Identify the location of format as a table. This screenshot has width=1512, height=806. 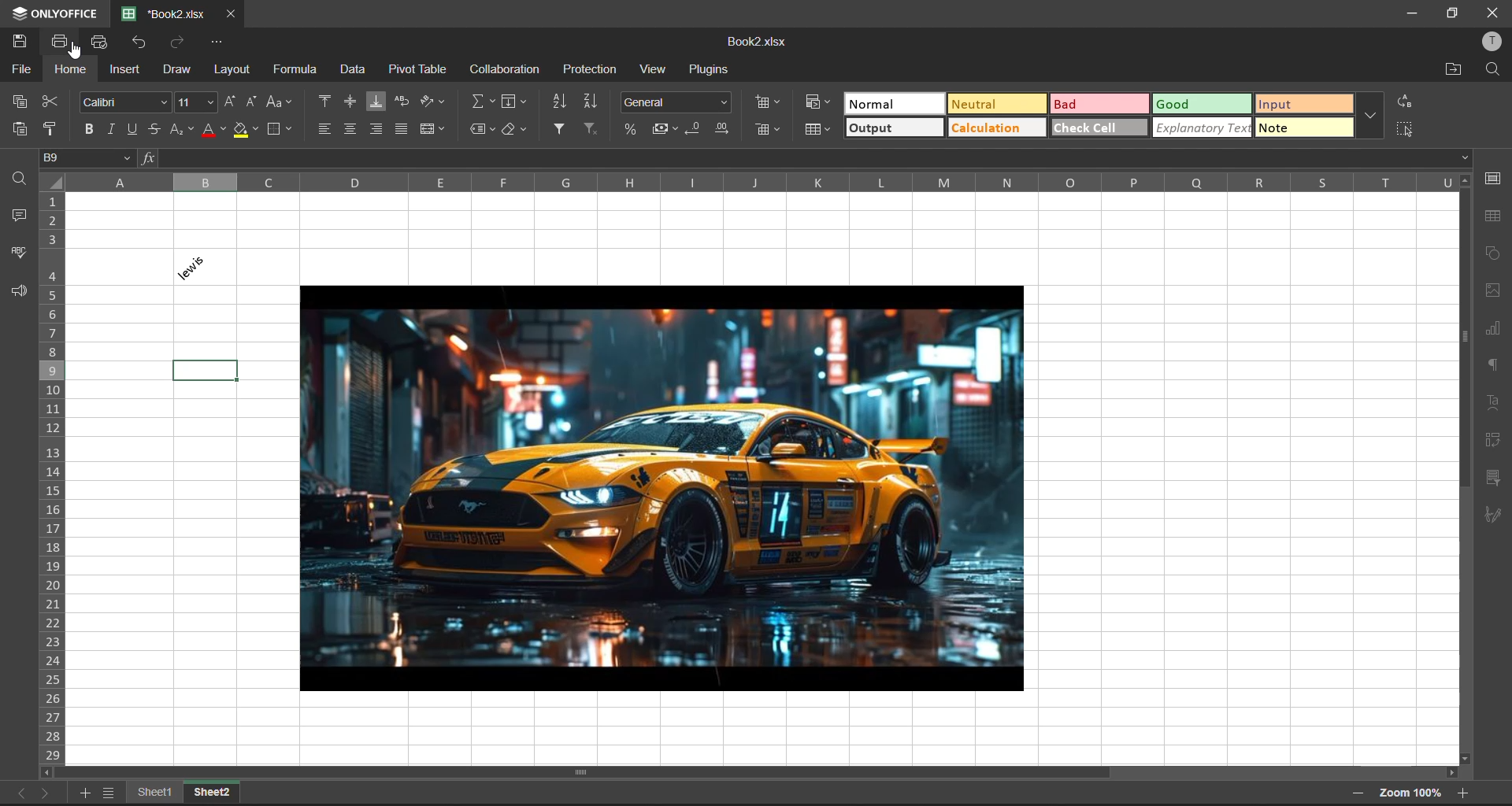
(816, 131).